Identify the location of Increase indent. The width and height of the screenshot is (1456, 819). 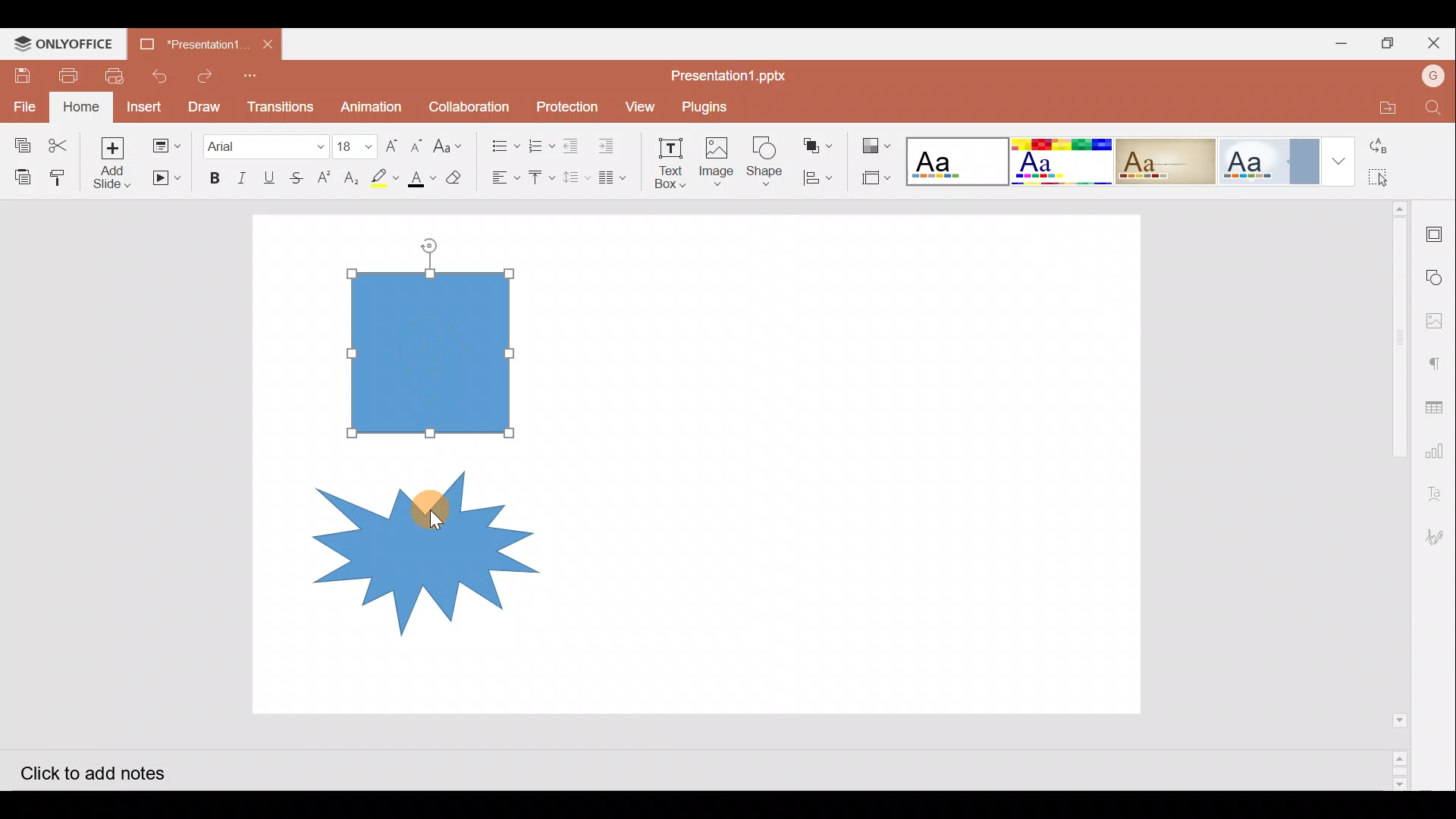
(611, 142).